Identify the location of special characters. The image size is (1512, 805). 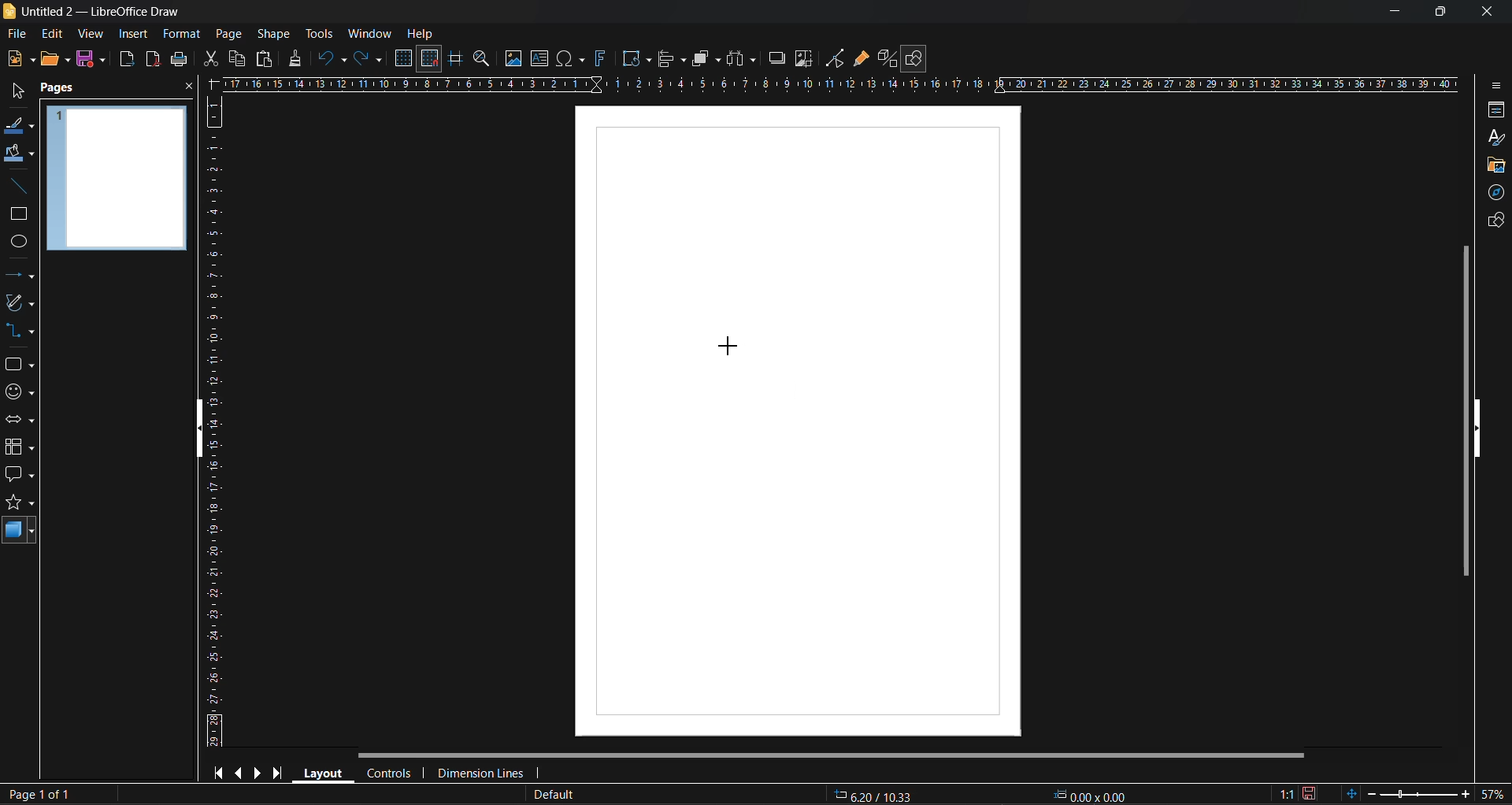
(574, 59).